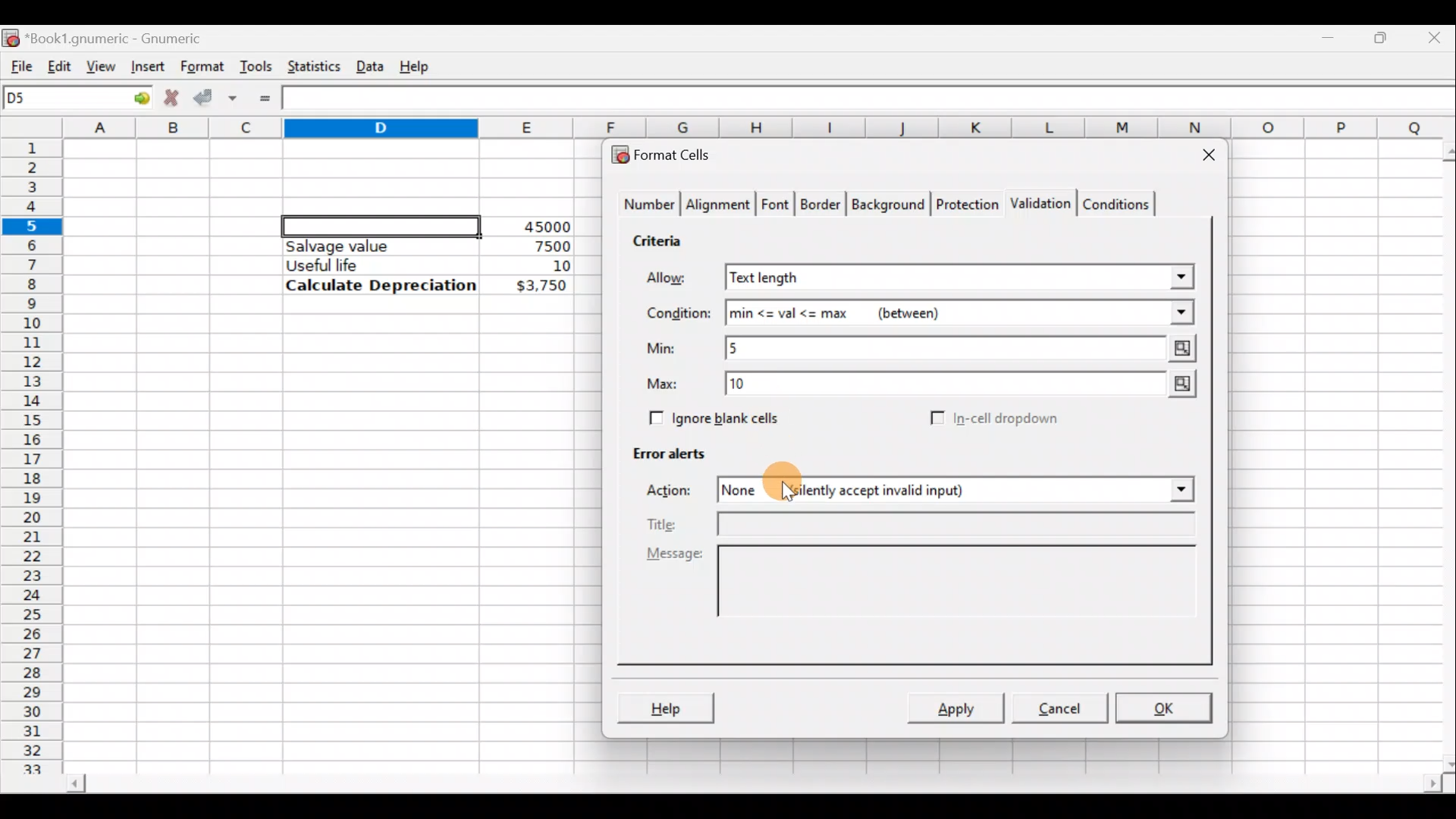 The height and width of the screenshot is (819, 1456). Describe the element at coordinates (761, 128) in the screenshot. I see `Columns` at that location.